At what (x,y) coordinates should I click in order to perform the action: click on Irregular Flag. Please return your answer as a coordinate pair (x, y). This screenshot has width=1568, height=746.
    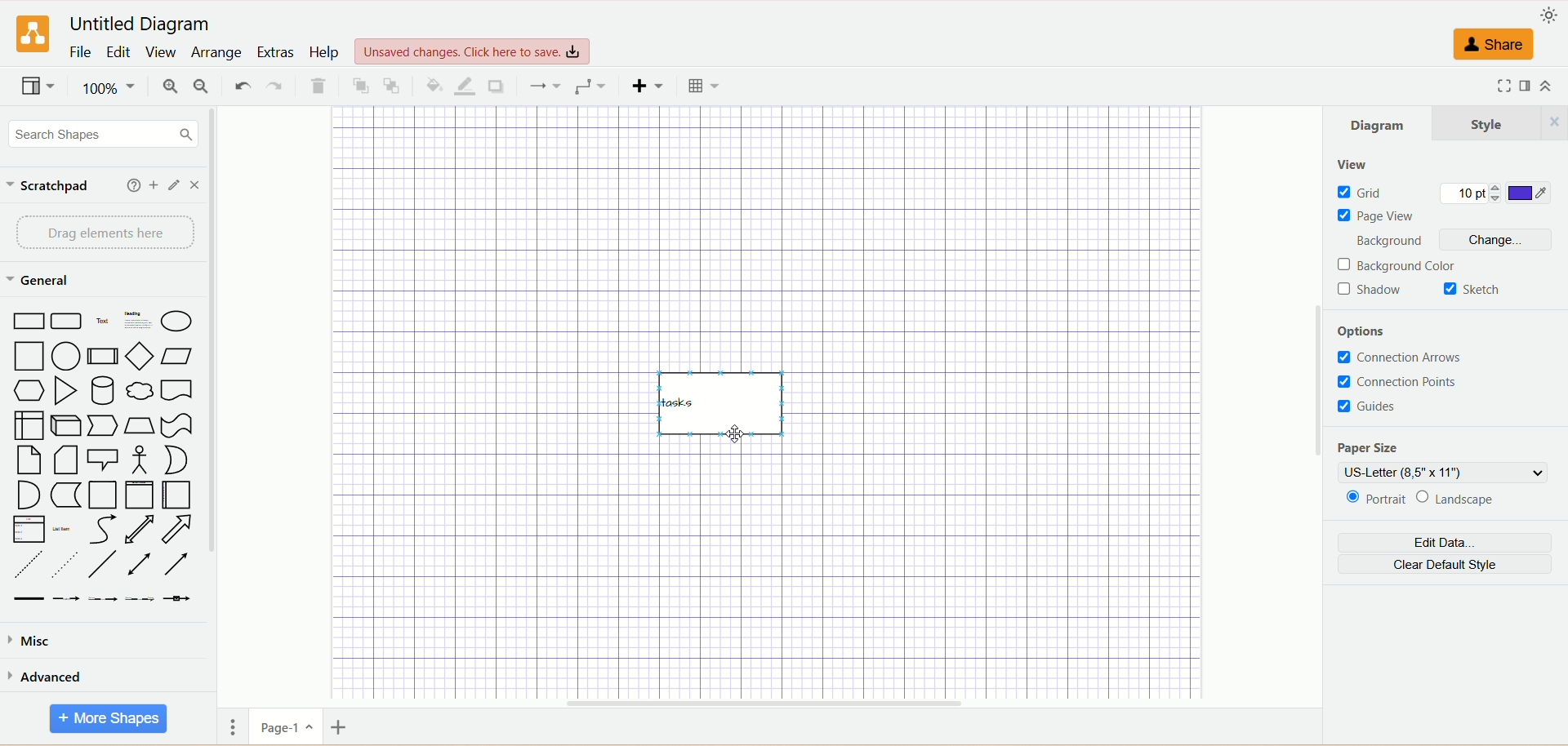
    Looking at the image, I should click on (178, 426).